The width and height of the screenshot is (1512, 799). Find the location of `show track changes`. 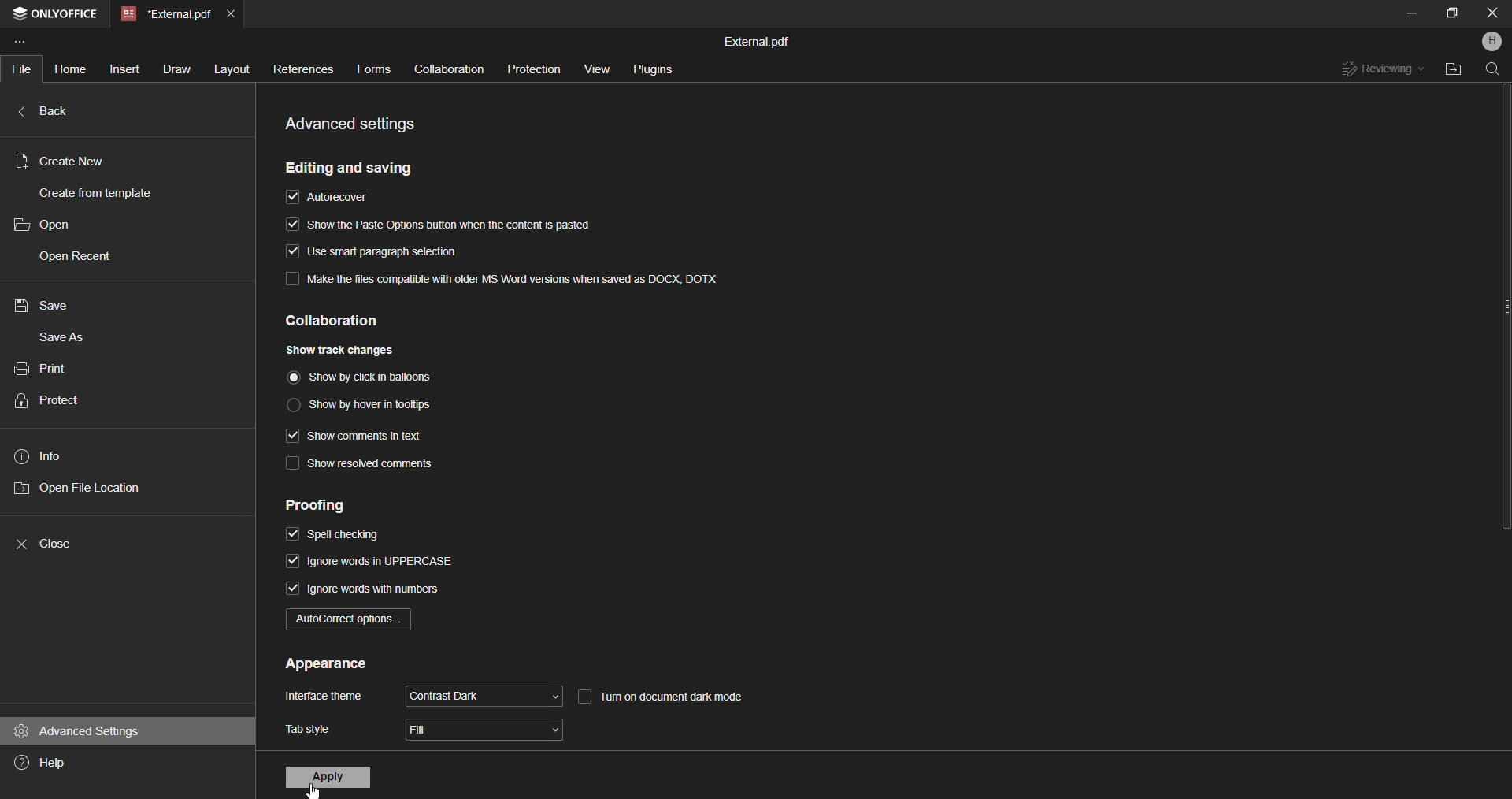

show track changes is located at coordinates (344, 348).